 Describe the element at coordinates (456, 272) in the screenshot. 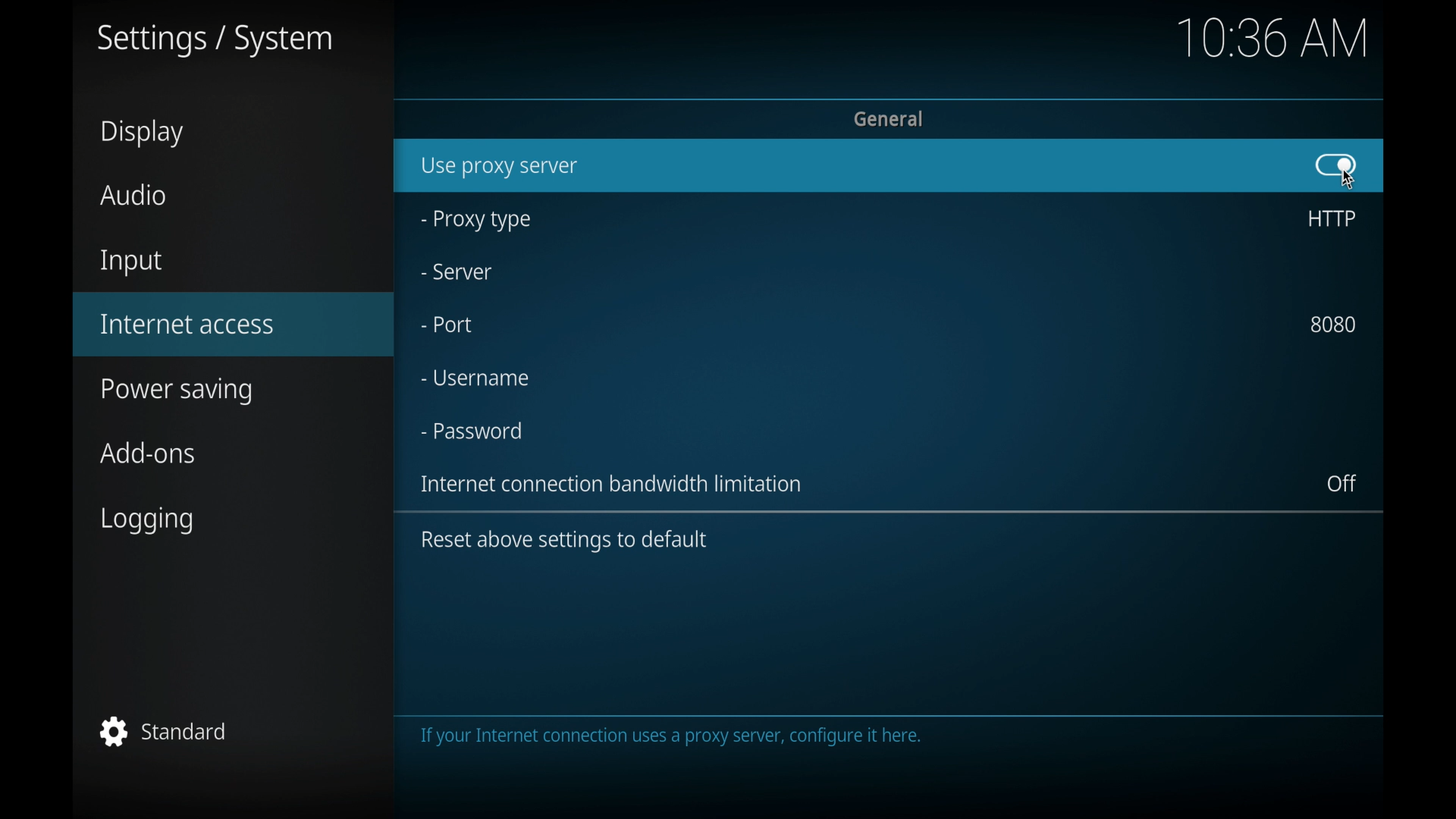

I see `server` at that location.